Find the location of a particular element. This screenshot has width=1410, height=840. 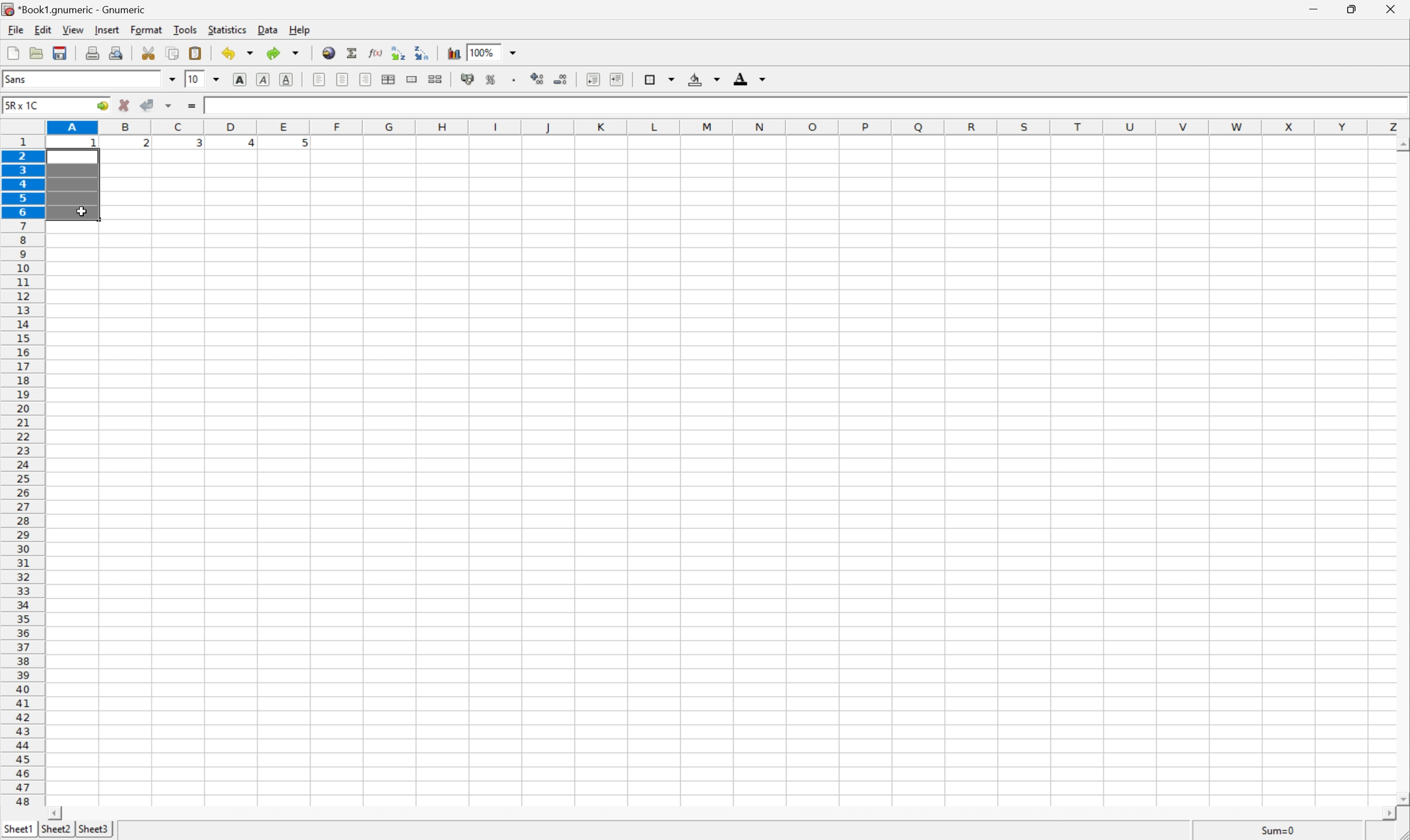

100% is located at coordinates (484, 52).